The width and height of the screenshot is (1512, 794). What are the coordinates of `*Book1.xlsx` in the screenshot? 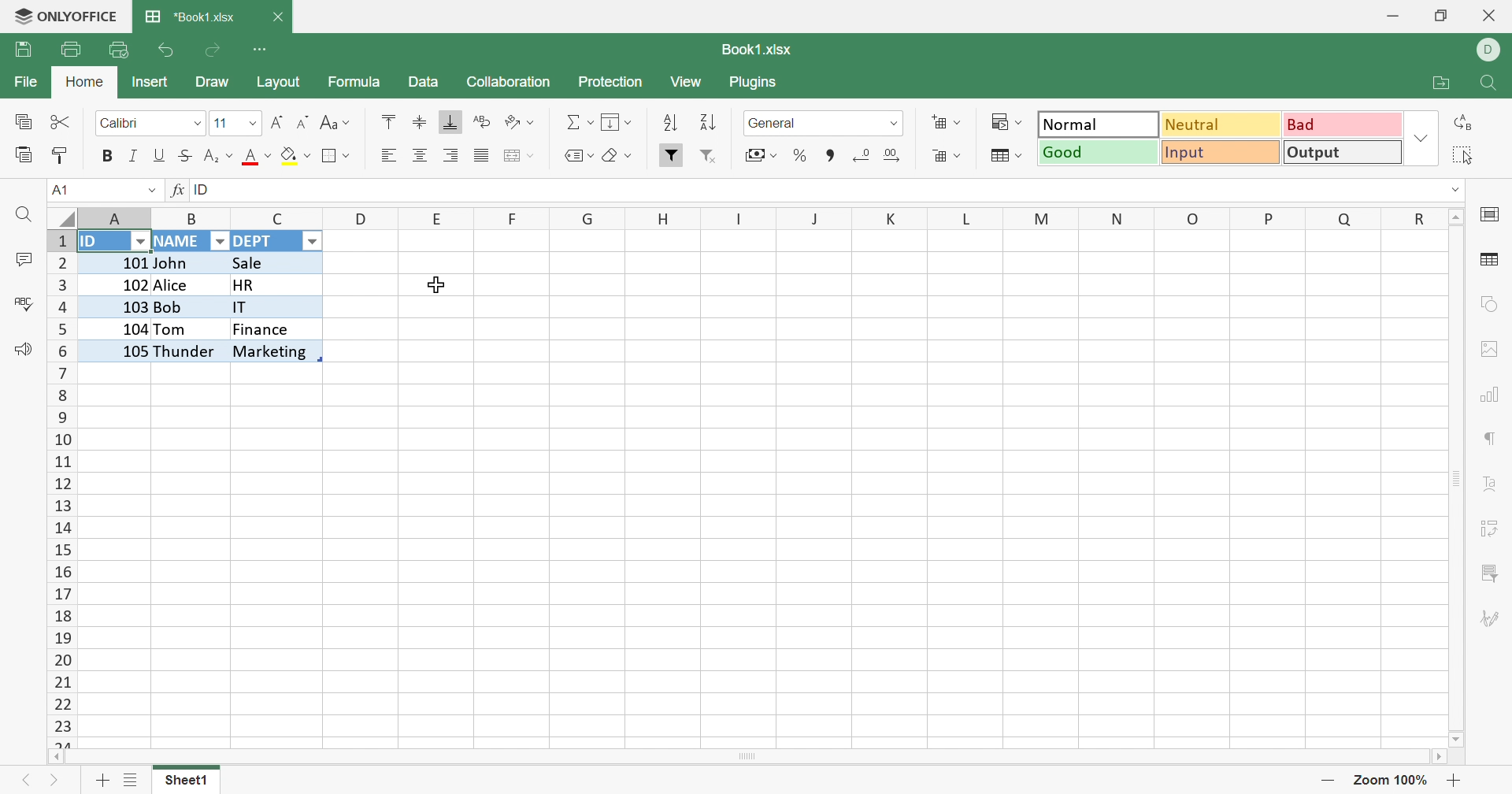 It's located at (192, 18).